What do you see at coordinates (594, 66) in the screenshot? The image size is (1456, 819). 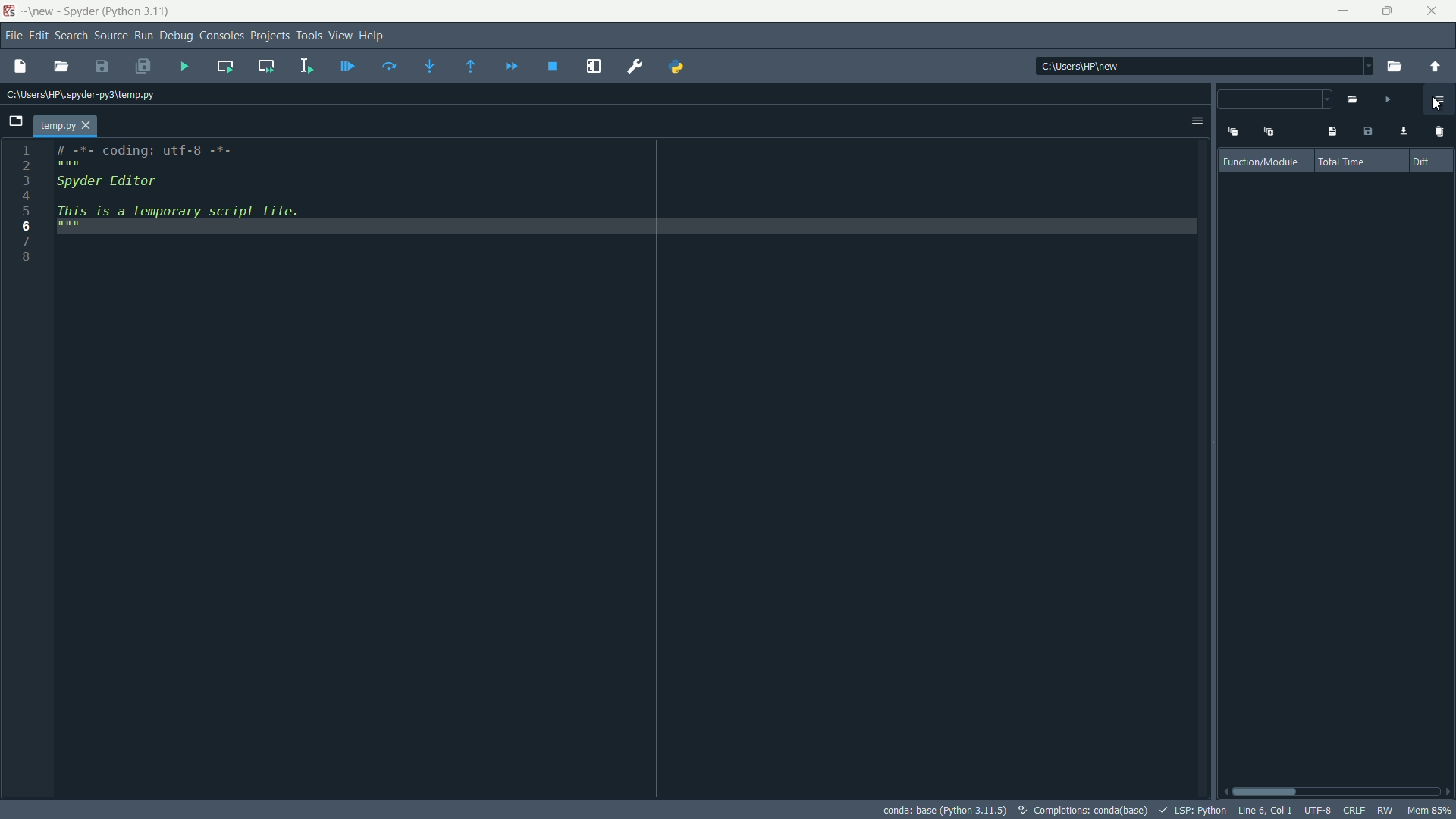 I see `maximize current pane` at bounding box center [594, 66].